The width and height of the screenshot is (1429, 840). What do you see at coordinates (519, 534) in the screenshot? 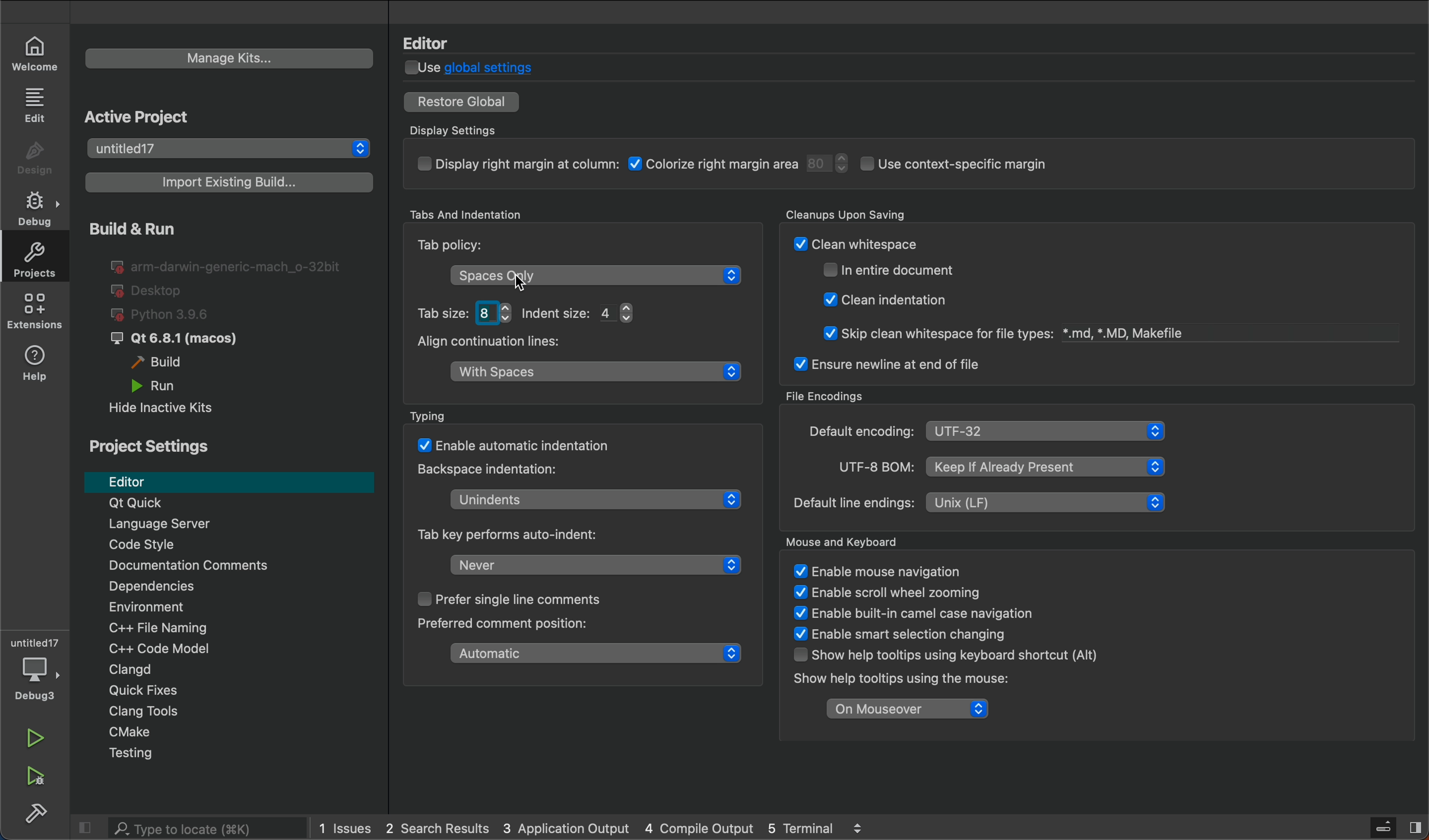
I see `key performs` at bounding box center [519, 534].